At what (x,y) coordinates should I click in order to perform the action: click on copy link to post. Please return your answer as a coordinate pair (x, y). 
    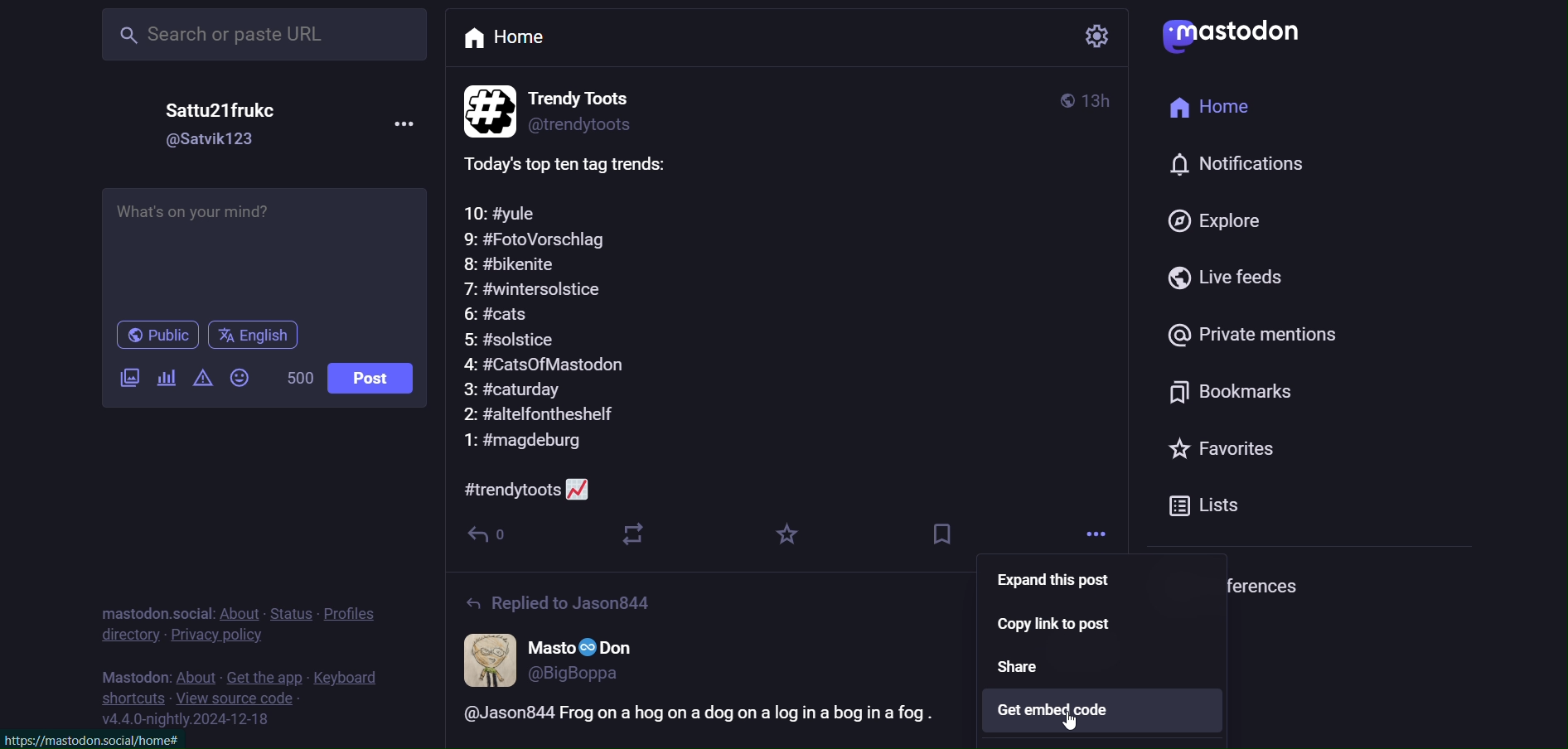
    Looking at the image, I should click on (1076, 627).